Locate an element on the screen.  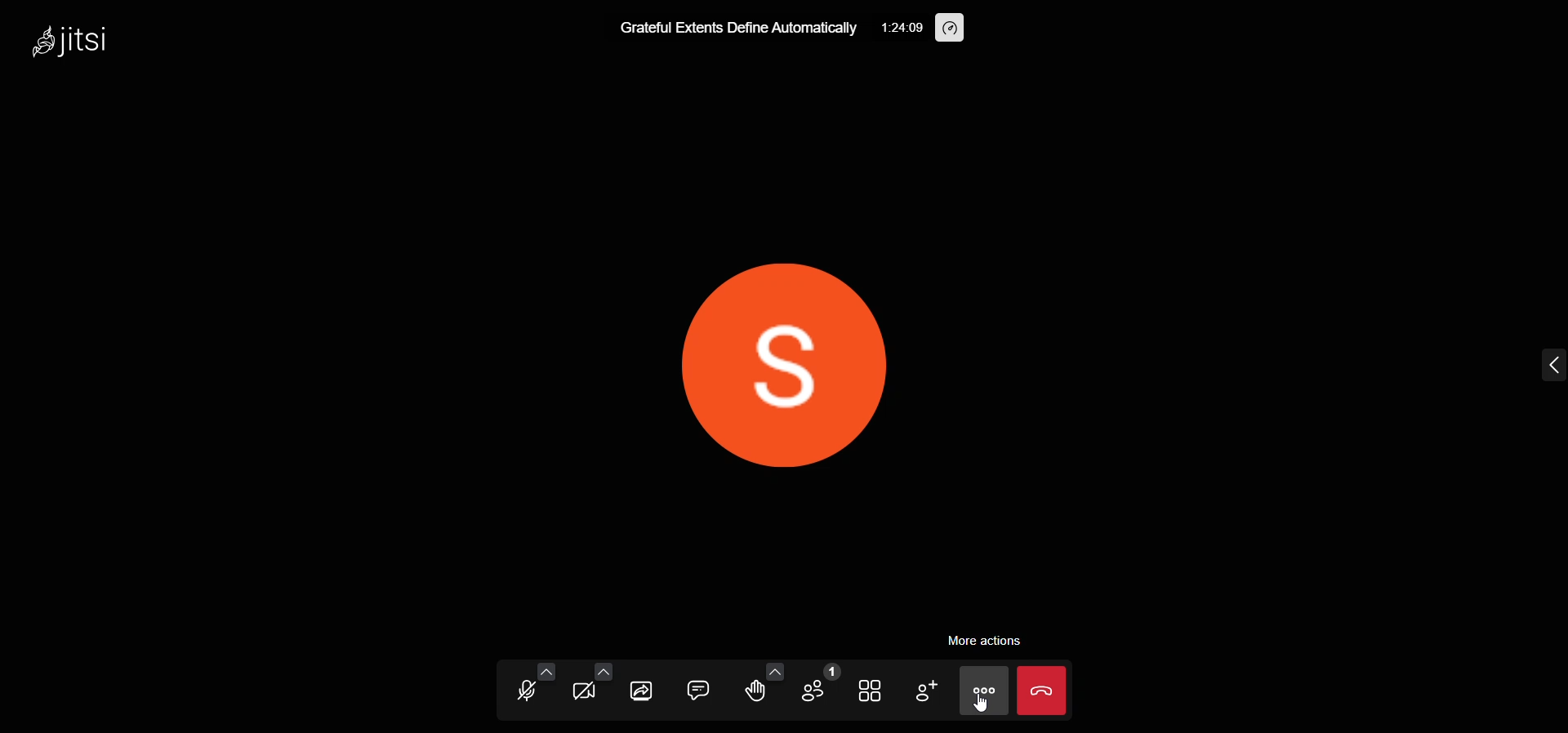
display picture is located at coordinates (781, 374).